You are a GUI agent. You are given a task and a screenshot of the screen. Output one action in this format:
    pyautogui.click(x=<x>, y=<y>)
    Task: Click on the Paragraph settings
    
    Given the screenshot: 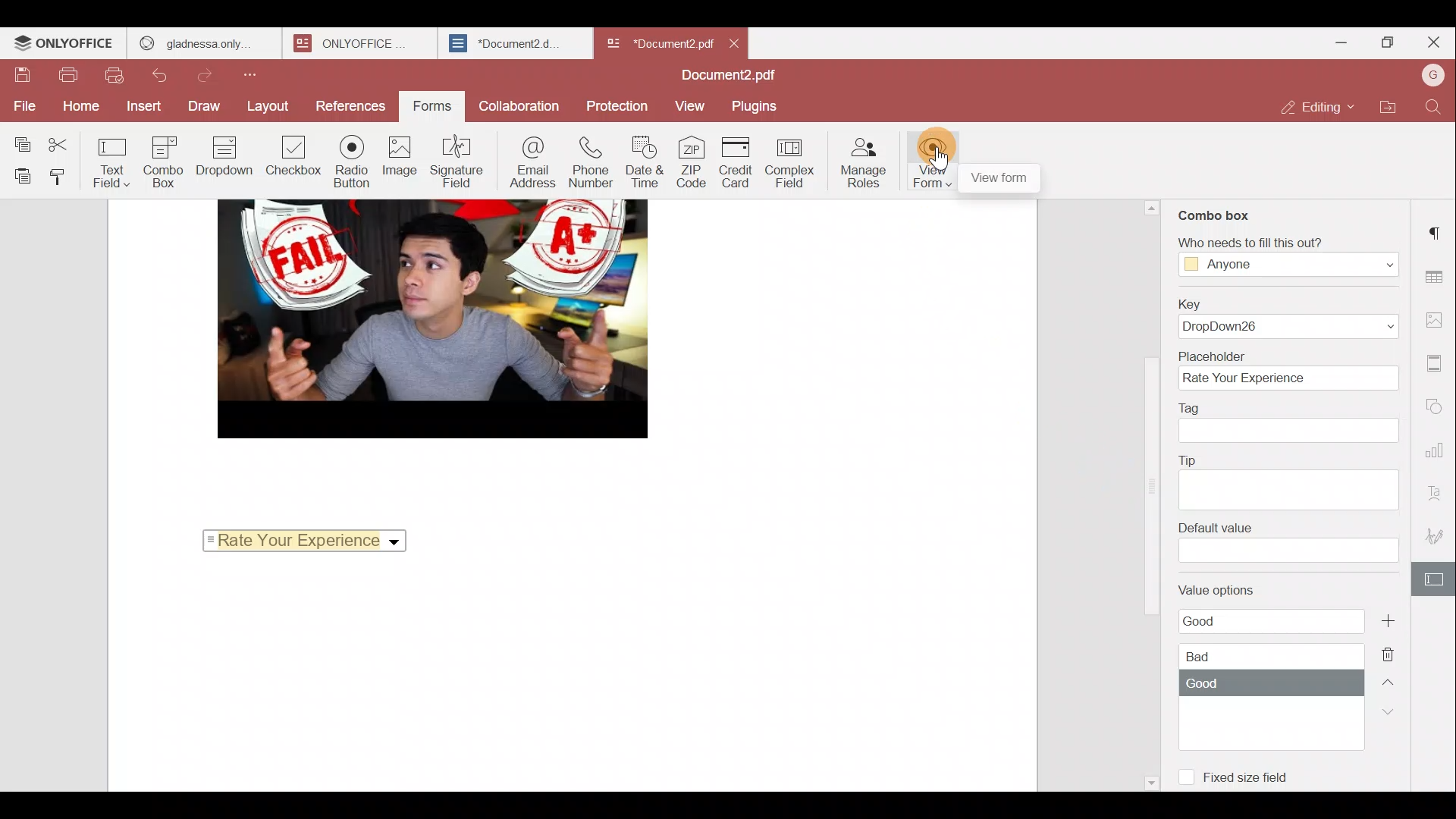 What is the action you would take?
    pyautogui.click(x=1437, y=229)
    